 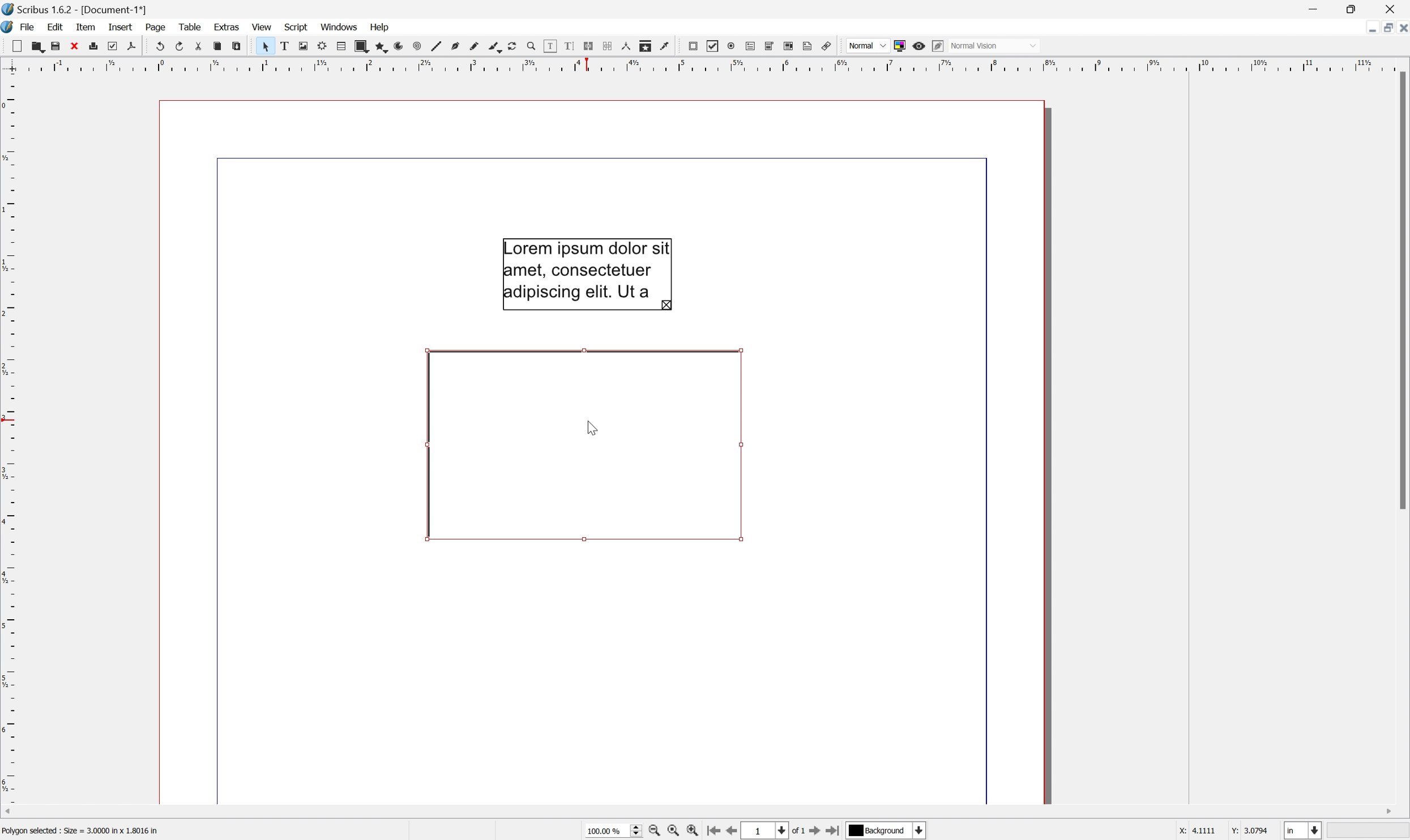 I want to click on Polygon selected: Size = 3.0000 in × 1.8016 in, so click(x=84, y=830).